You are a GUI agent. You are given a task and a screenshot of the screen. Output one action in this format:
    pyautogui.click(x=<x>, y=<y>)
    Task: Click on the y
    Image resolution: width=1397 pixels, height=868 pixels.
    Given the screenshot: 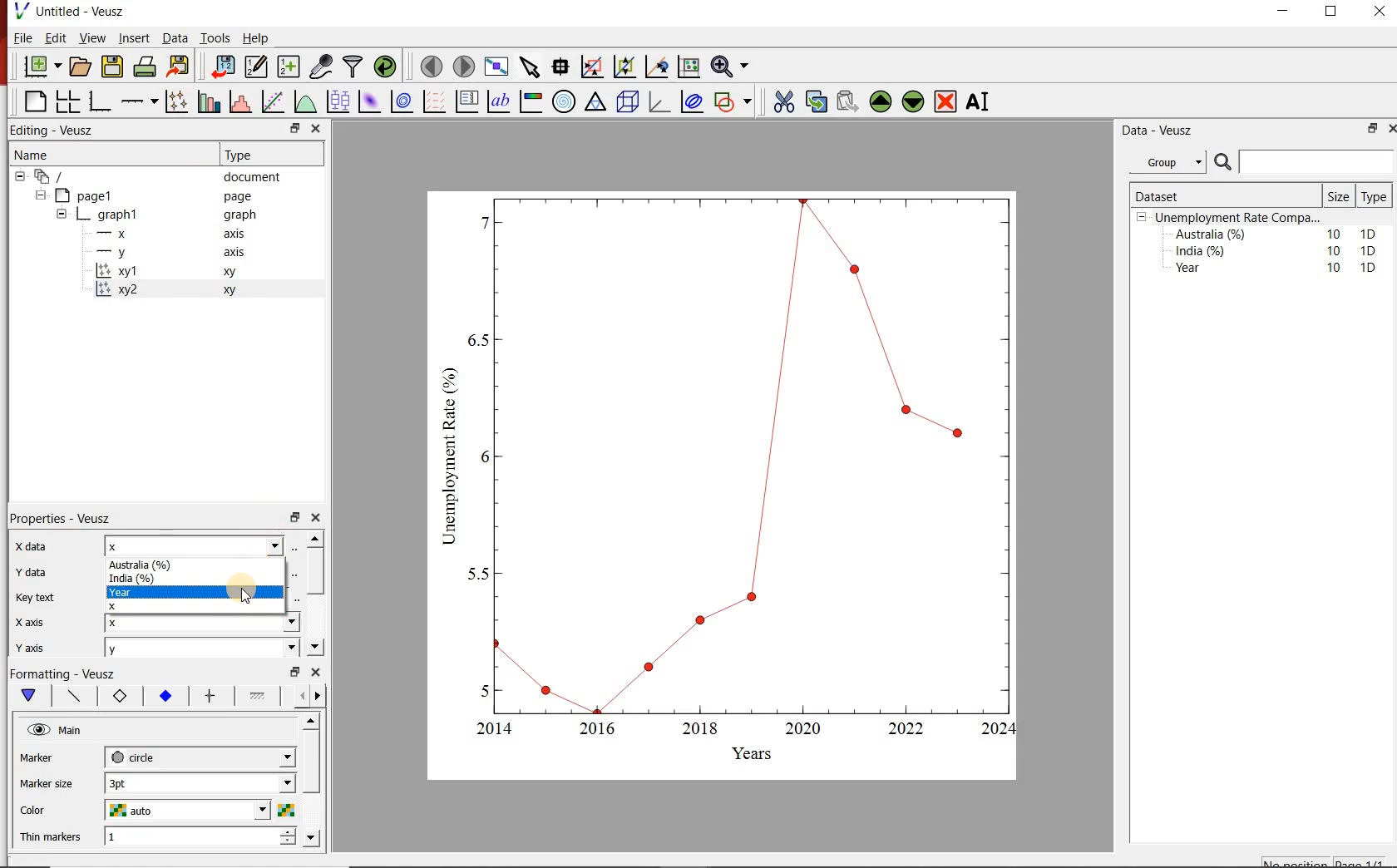 What is the action you would take?
    pyautogui.click(x=198, y=649)
    